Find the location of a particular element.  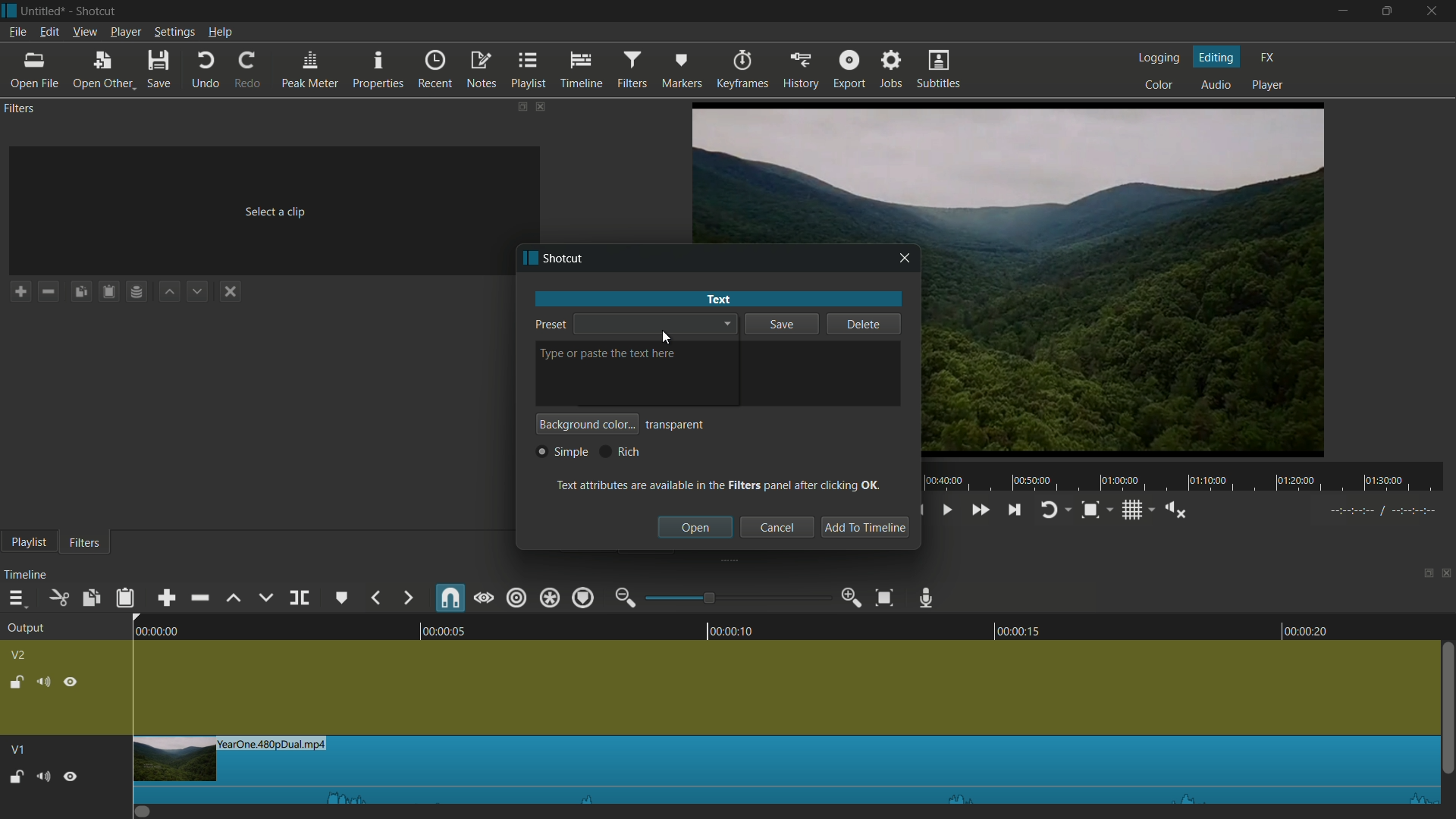

help menu is located at coordinates (220, 32).